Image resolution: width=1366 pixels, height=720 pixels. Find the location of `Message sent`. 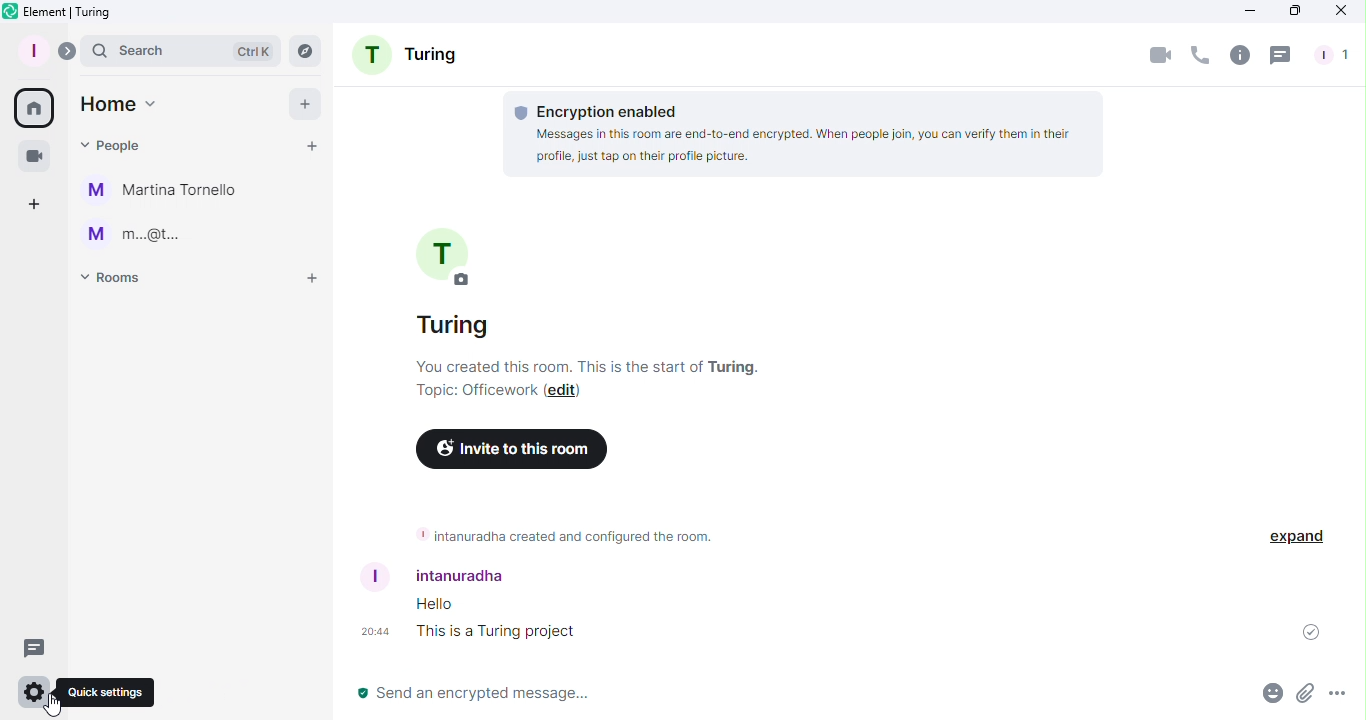

Message sent is located at coordinates (1304, 632).